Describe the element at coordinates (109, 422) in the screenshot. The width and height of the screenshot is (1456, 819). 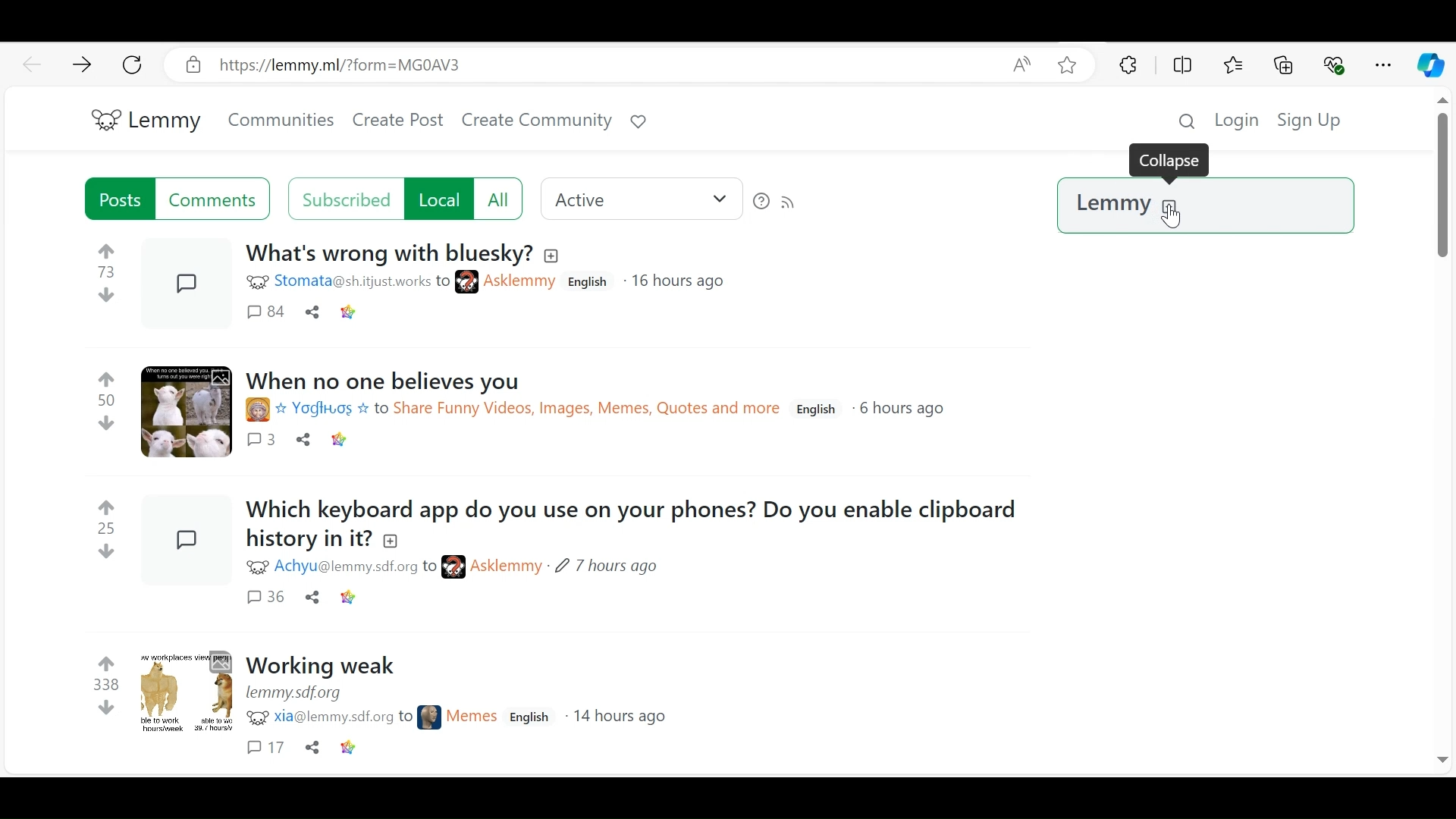
I see `downvotes` at that location.